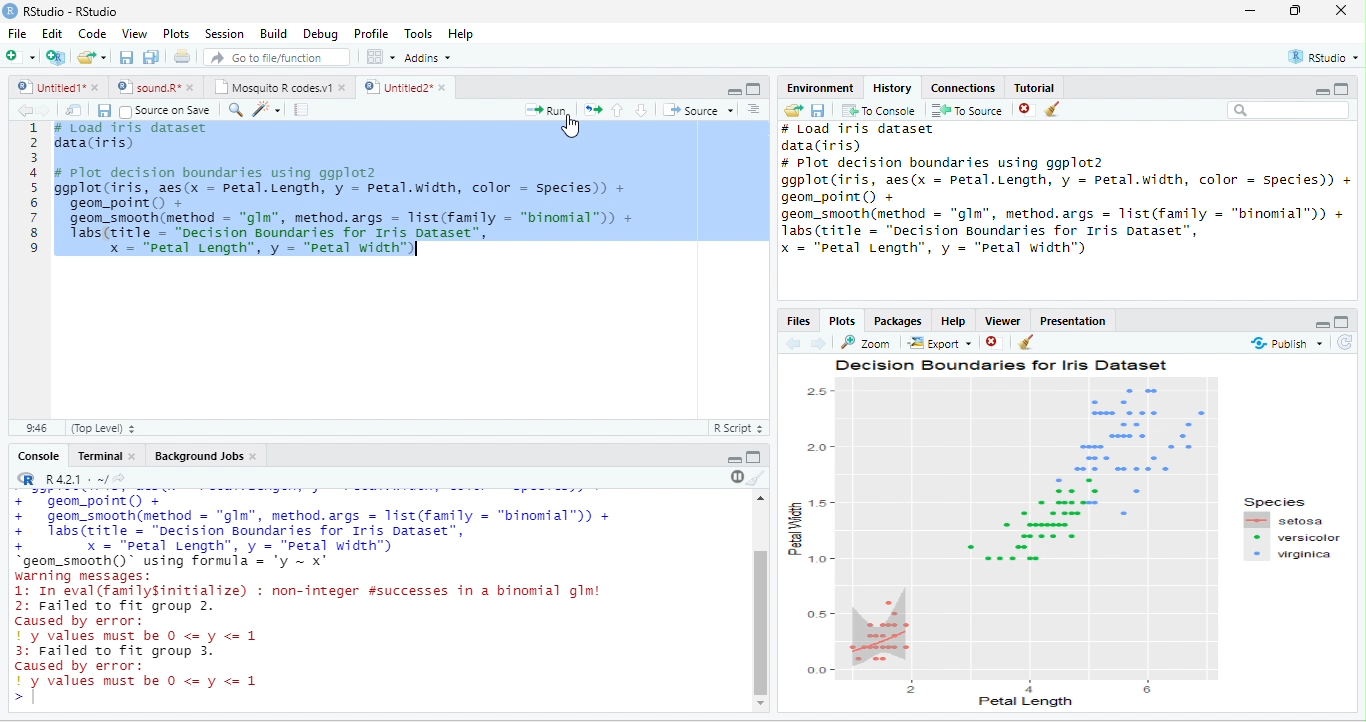 The height and width of the screenshot is (722, 1366). What do you see at coordinates (794, 110) in the screenshot?
I see `open folder` at bounding box center [794, 110].